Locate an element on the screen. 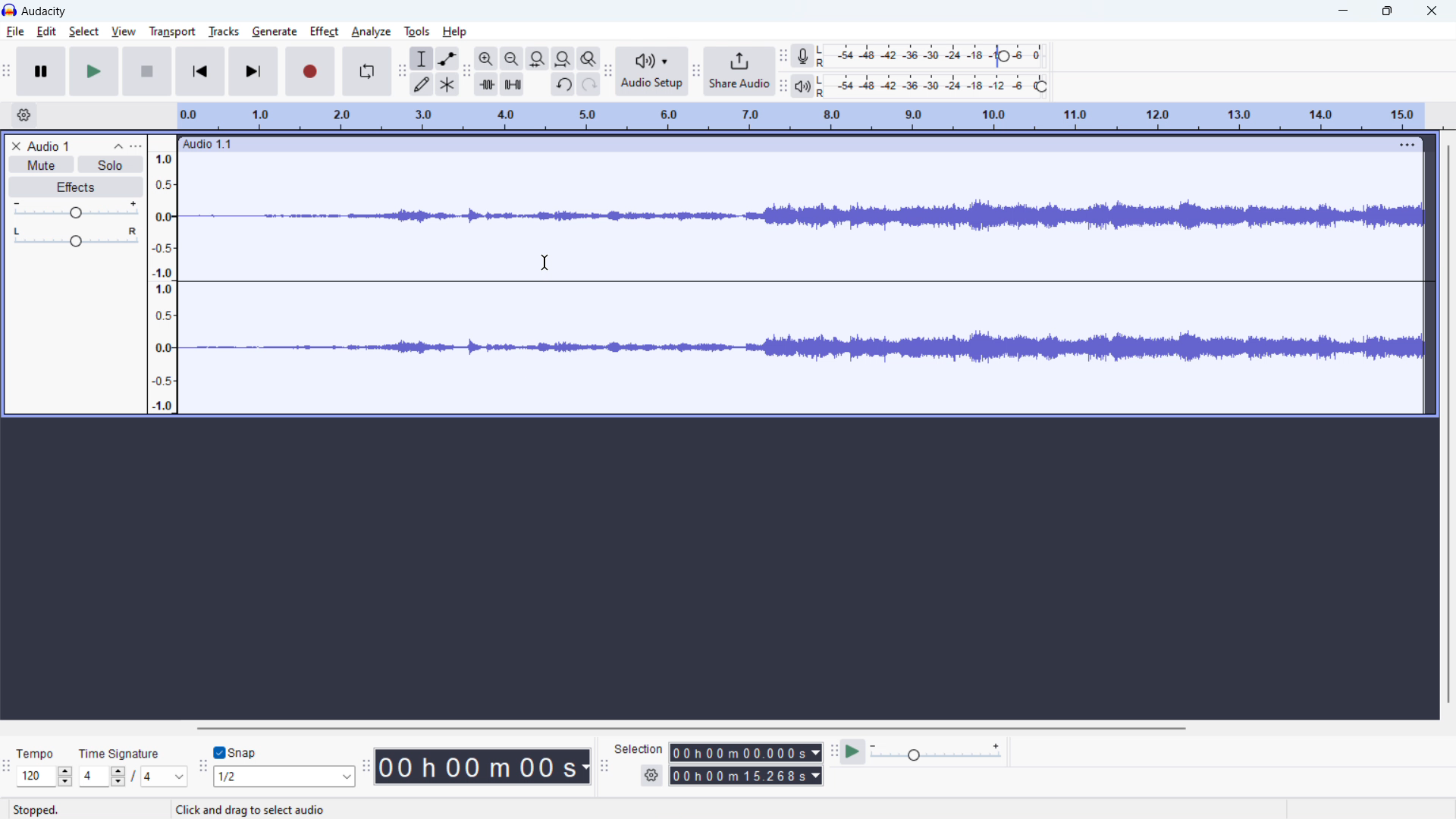  recording meter toolbar is located at coordinates (783, 56).